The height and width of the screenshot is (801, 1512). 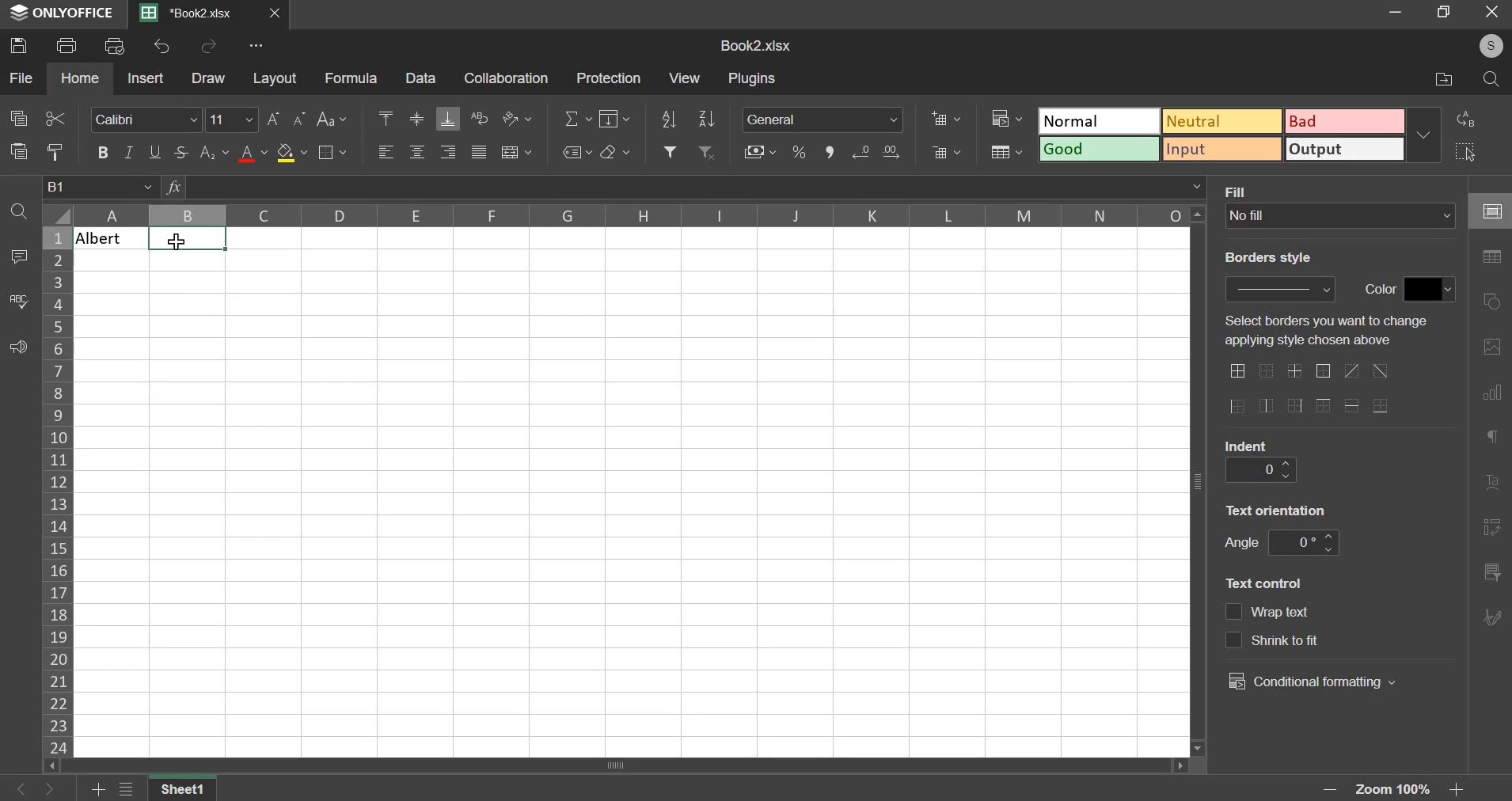 I want to click on sum, so click(x=578, y=120).